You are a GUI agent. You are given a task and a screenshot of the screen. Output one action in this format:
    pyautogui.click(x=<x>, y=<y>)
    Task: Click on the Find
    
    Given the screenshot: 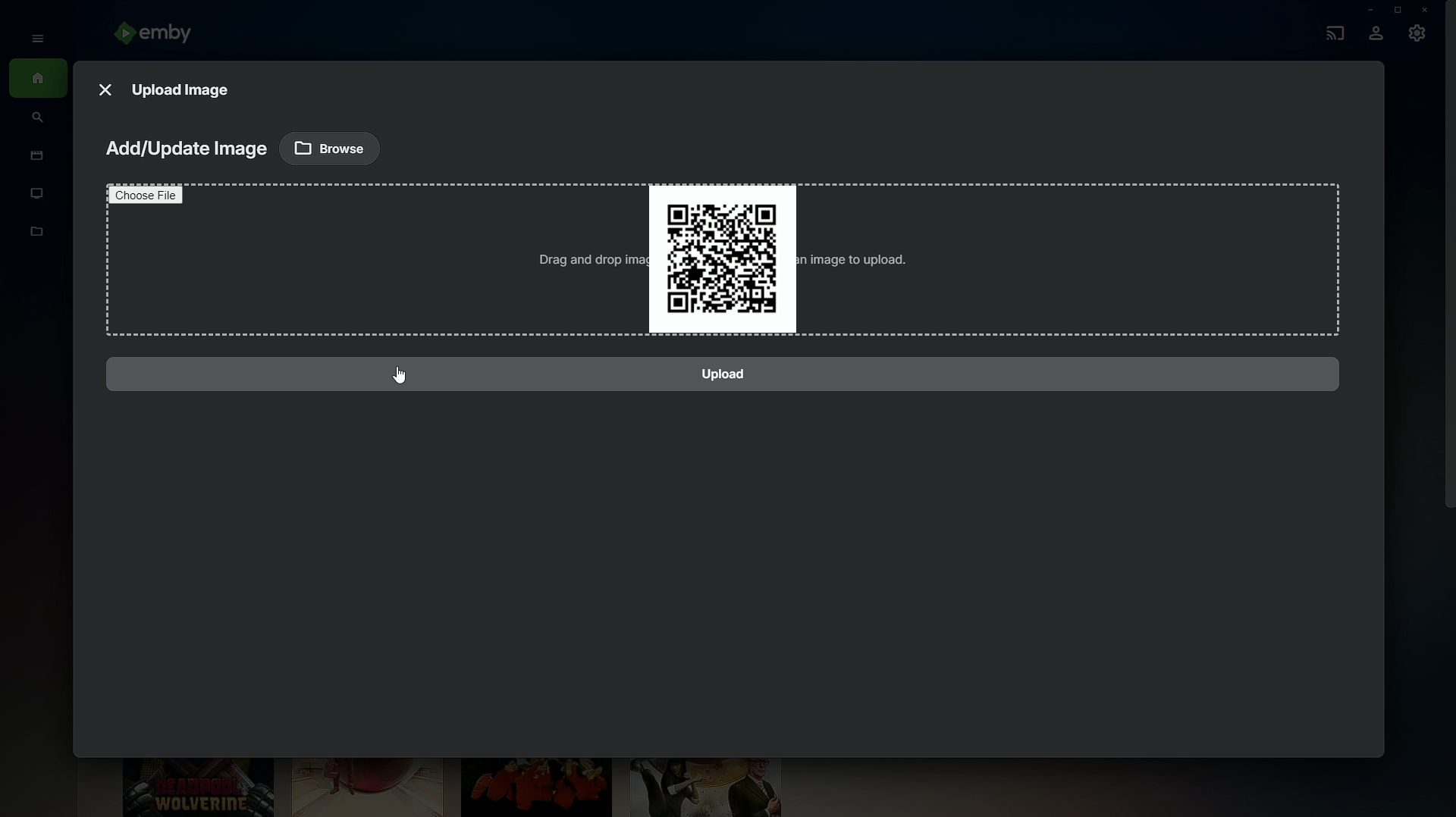 What is the action you would take?
    pyautogui.click(x=38, y=119)
    